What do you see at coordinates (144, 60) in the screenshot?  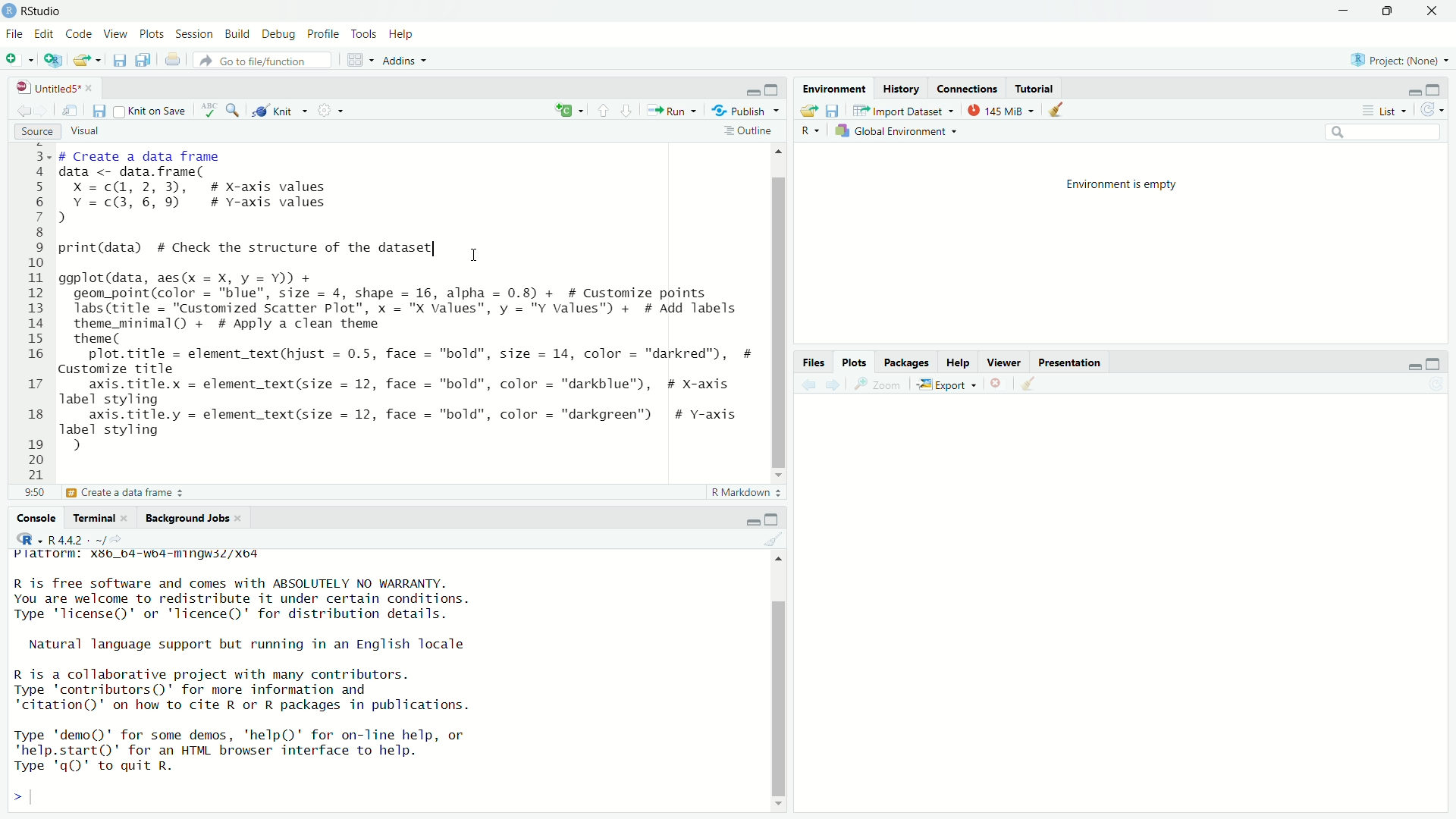 I see `Save all open documents` at bounding box center [144, 60].